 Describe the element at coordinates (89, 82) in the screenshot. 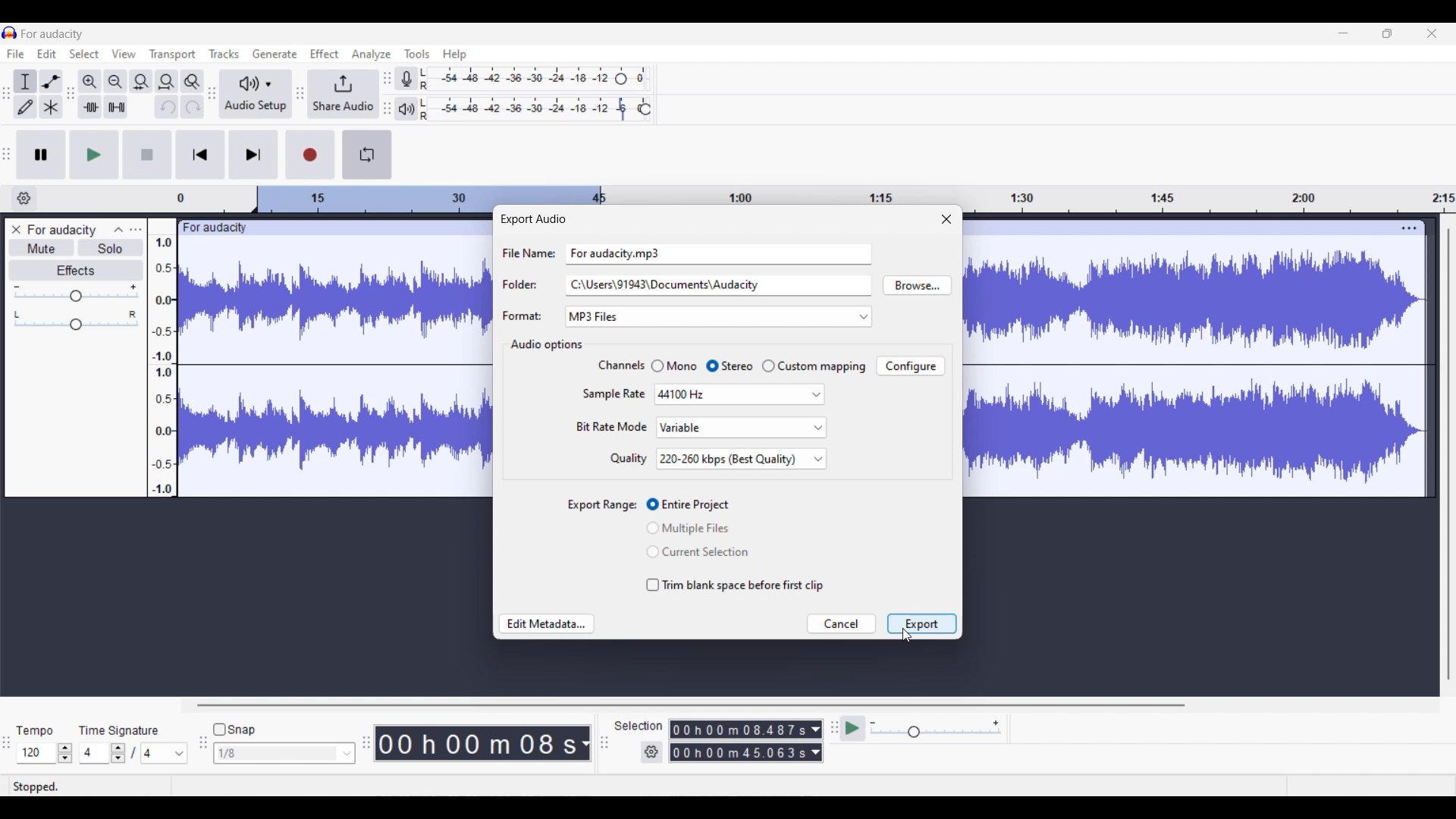

I see `Zoom in` at that location.